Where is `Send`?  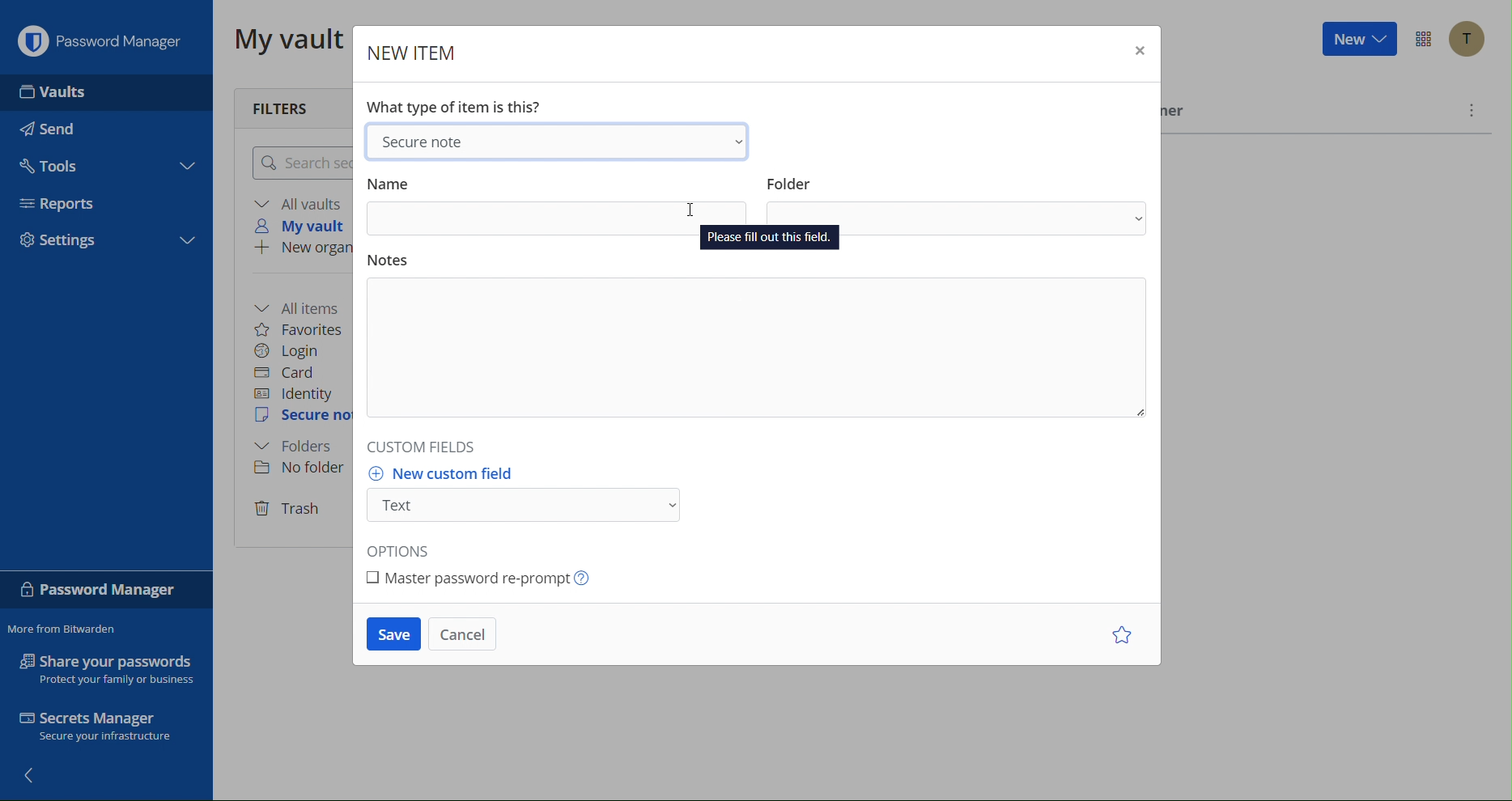 Send is located at coordinates (54, 129).